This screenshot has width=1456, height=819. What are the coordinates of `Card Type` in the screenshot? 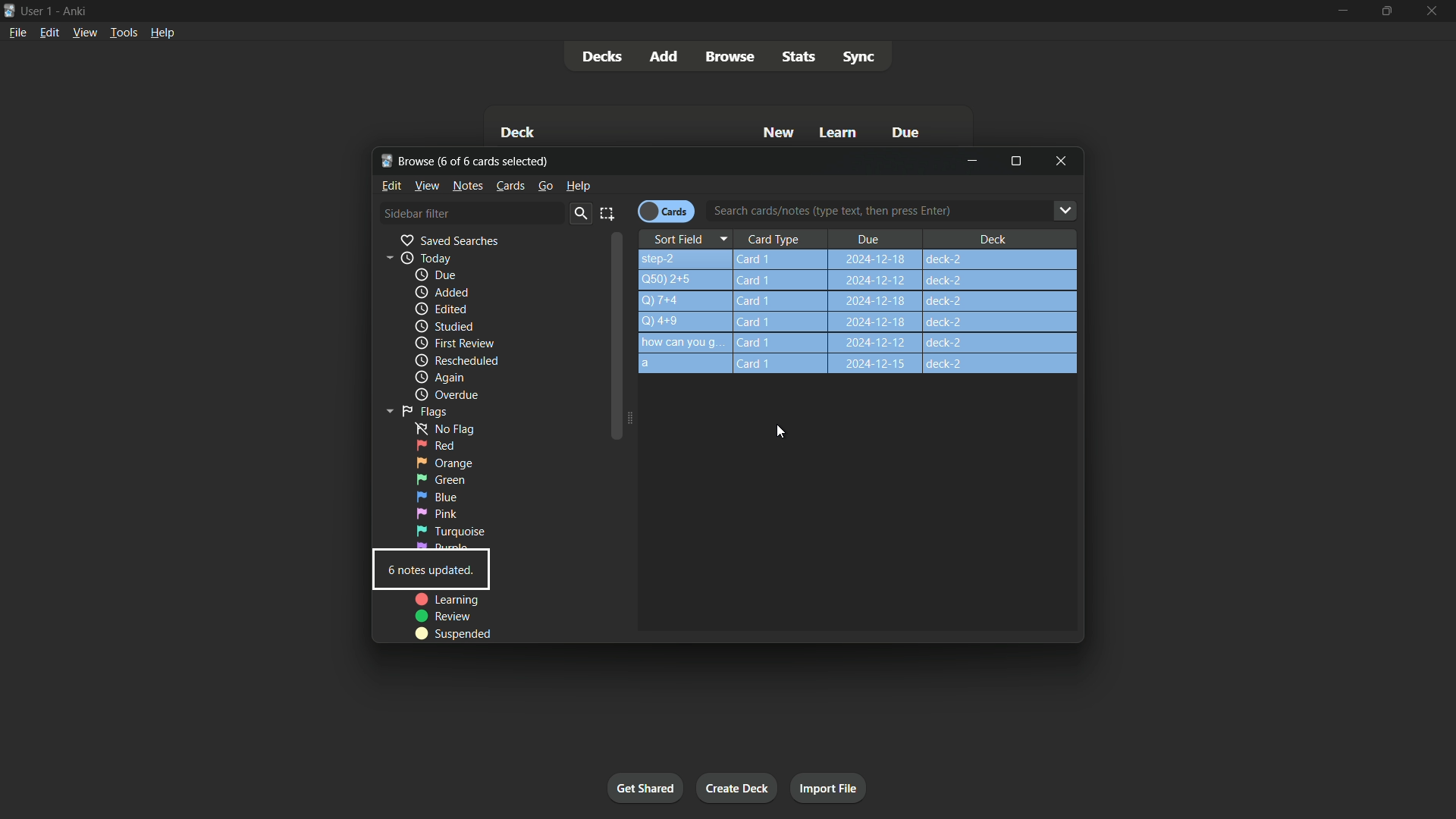 It's located at (781, 239).